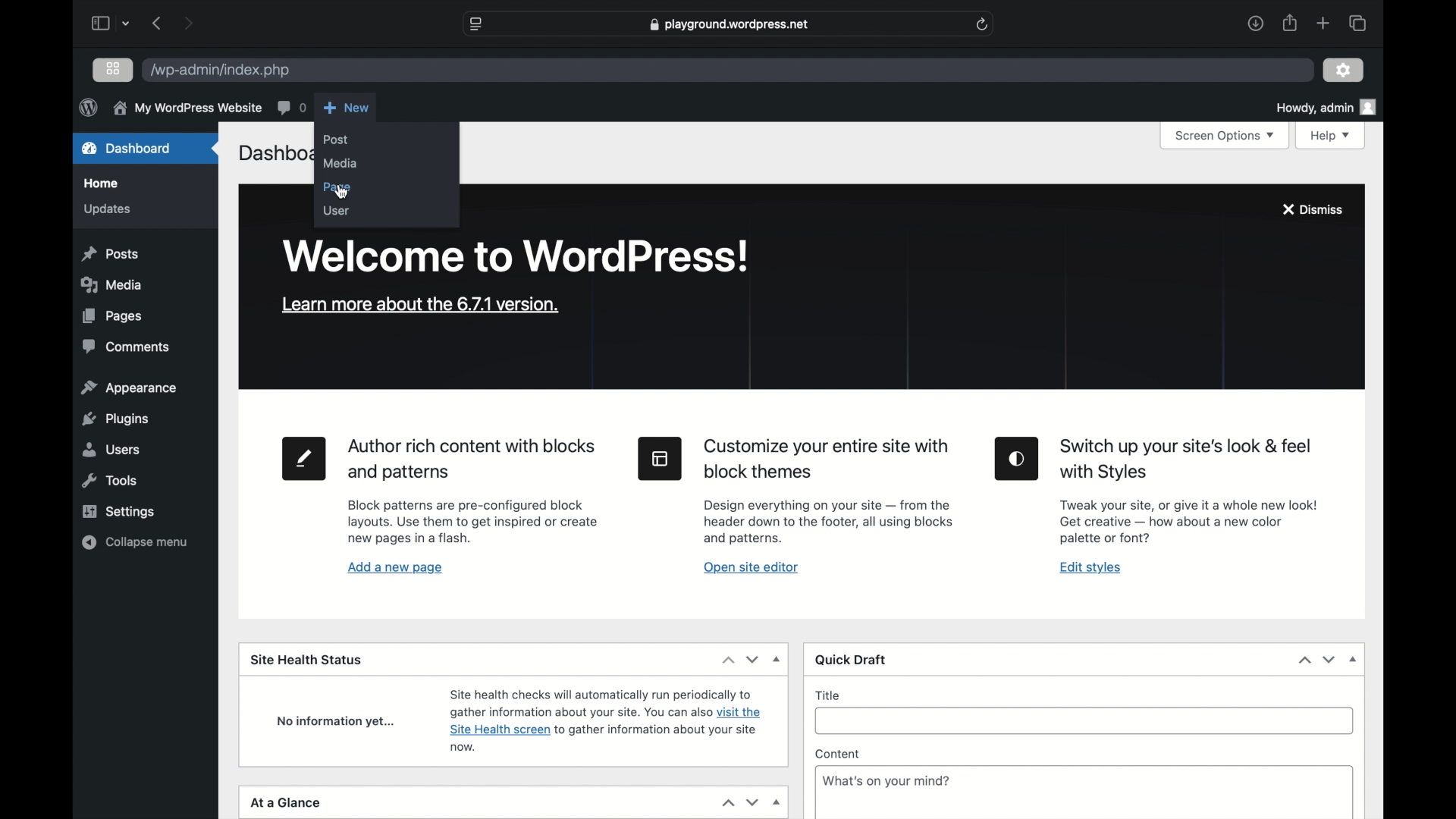 This screenshot has height=819, width=1456. I want to click on media, so click(111, 284).